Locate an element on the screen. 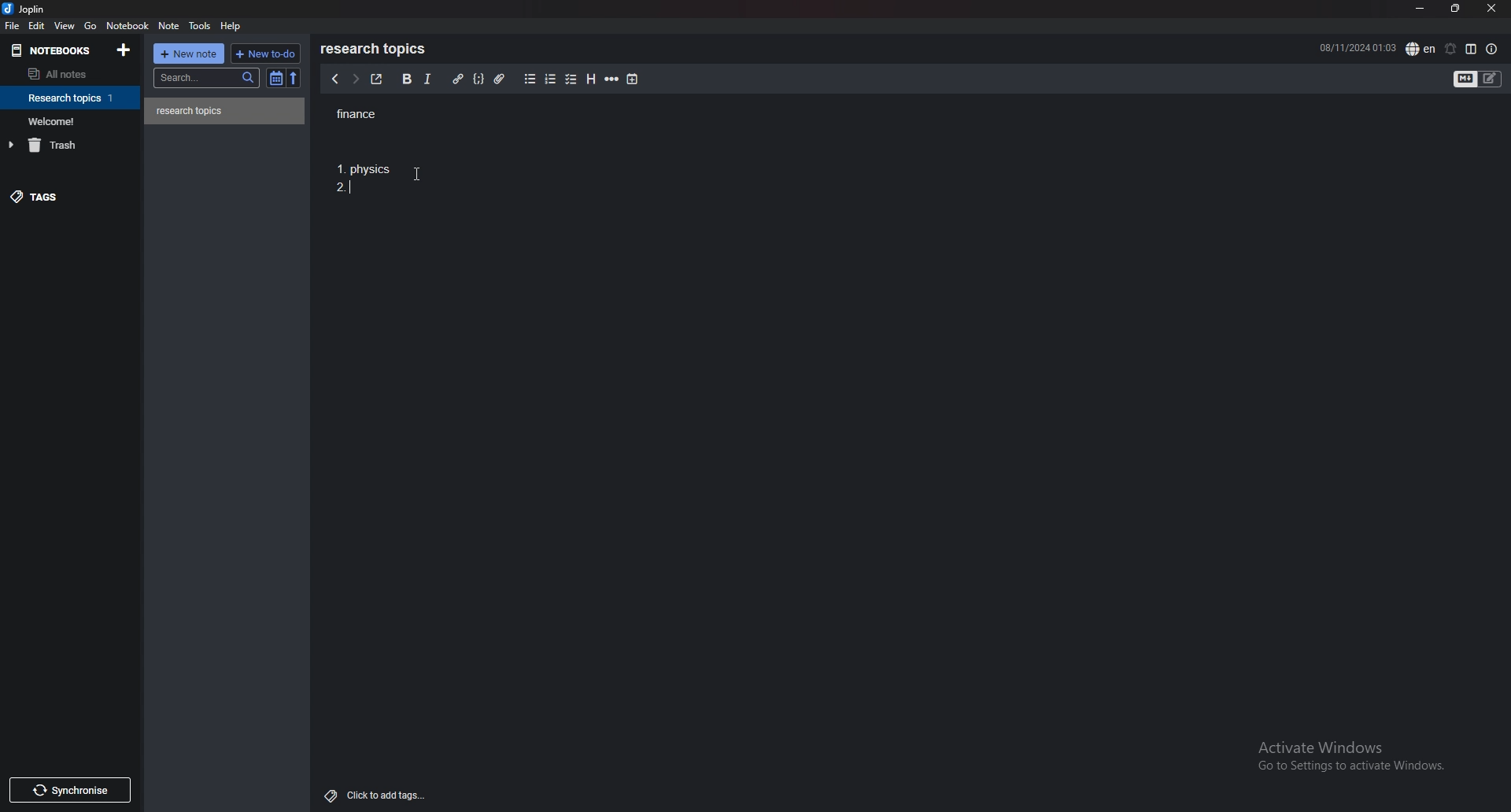 The height and width of the screenshot is (812, 1511). toggle sort order is located at coordinates (276, 79).